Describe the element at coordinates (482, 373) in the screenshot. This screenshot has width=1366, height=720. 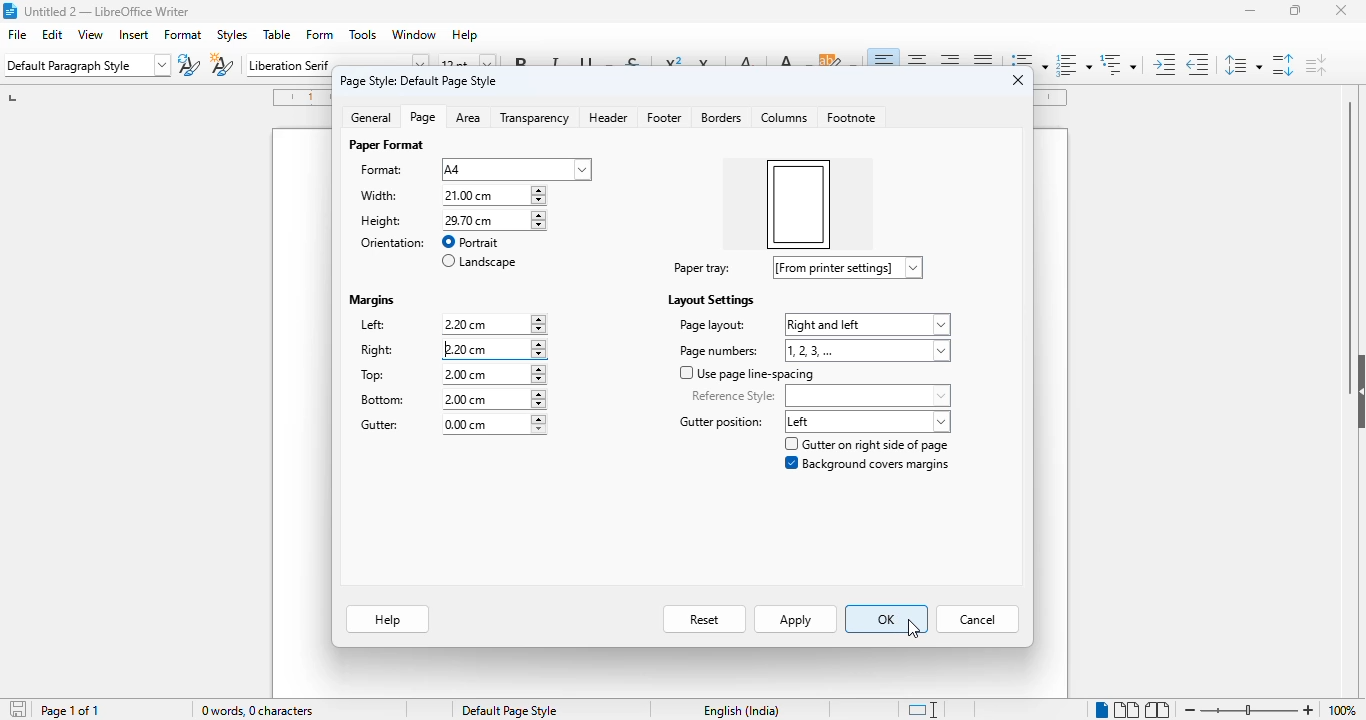
I see `top margin input box` at that location.